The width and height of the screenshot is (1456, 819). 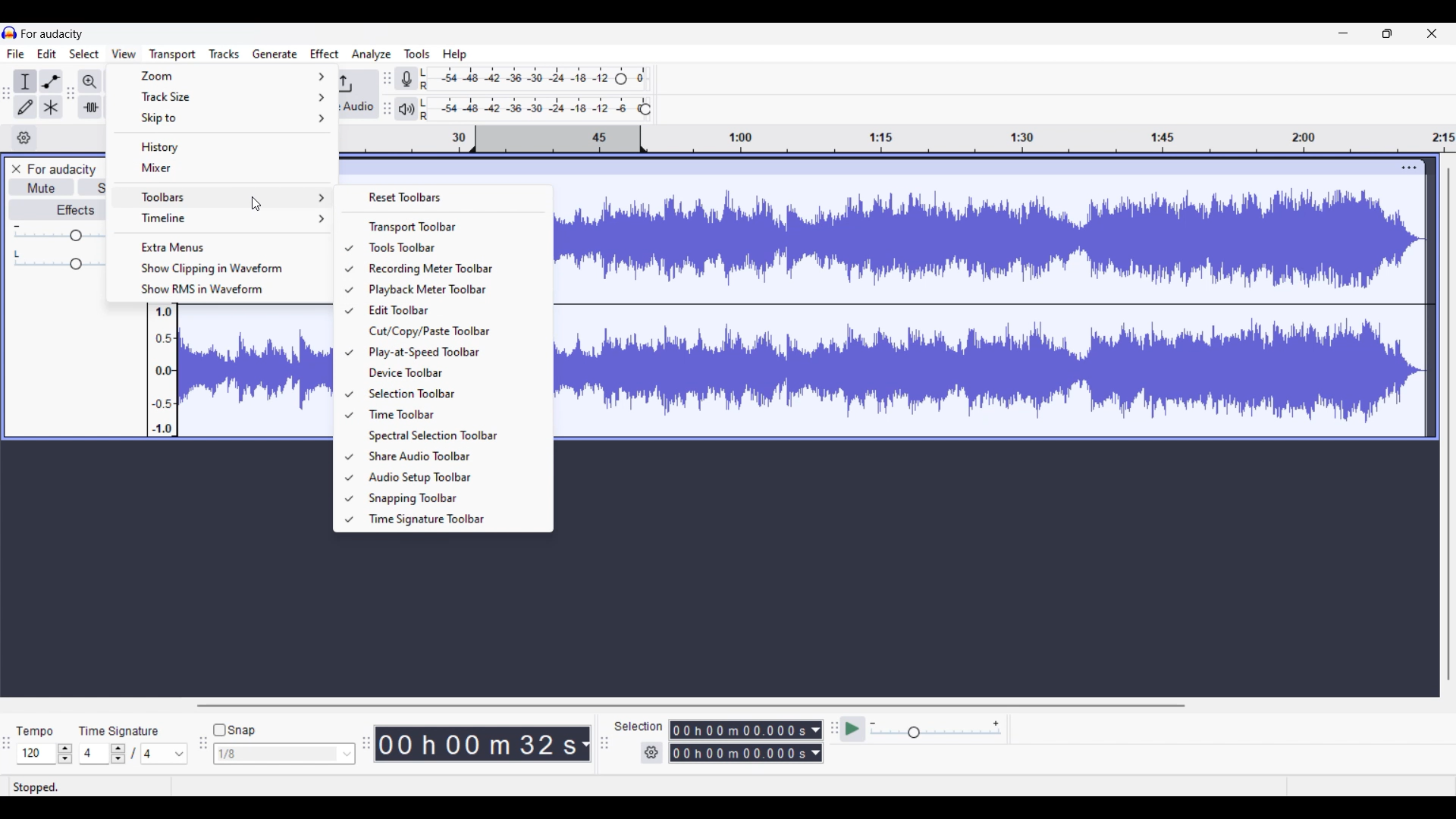 What do you see at coordinates (219, 268) in the screenshot?
I see `Show clipping in waveform` at bounding box center [219, 268].